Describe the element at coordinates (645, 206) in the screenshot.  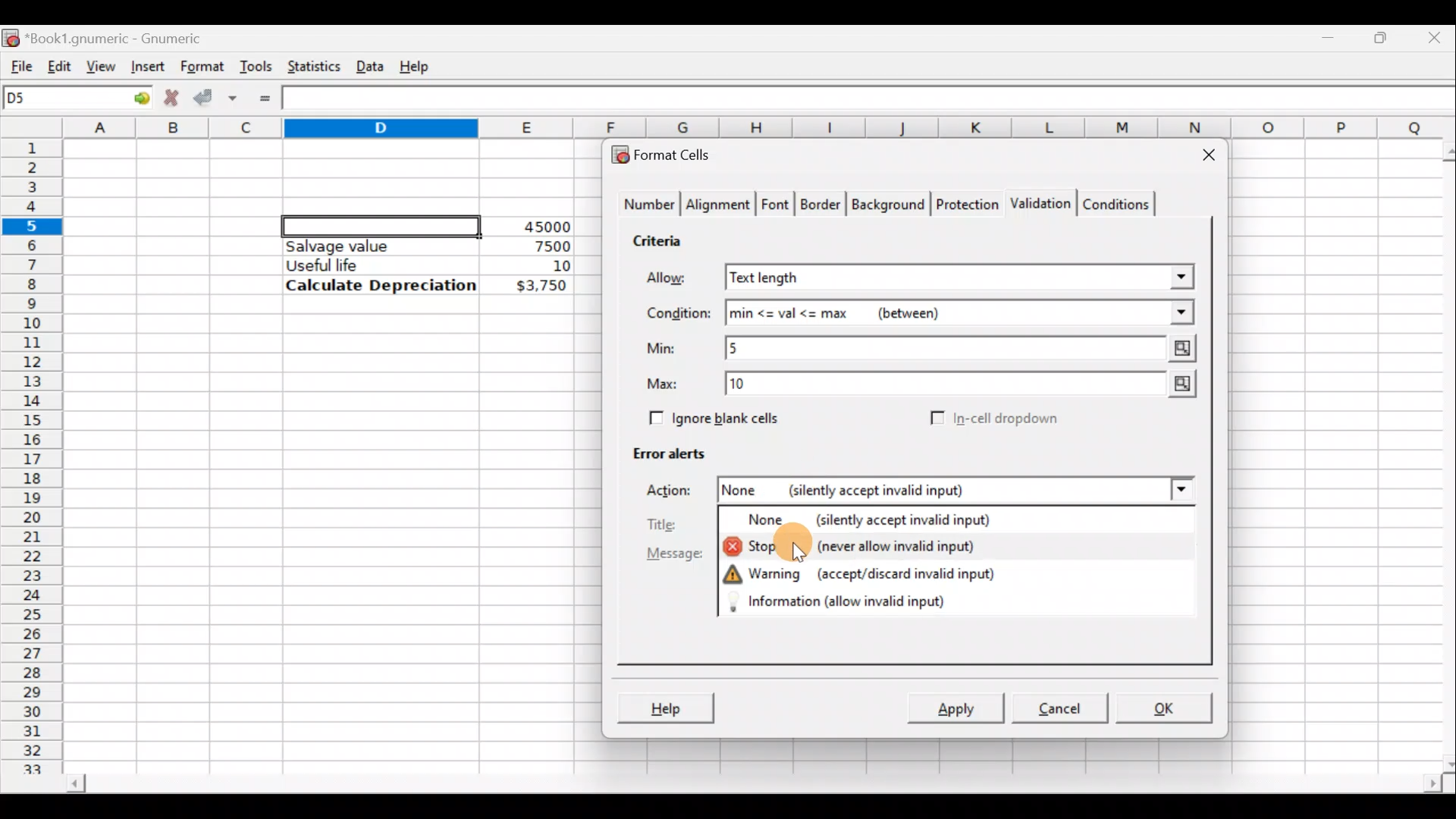
I see `Number` at that location.